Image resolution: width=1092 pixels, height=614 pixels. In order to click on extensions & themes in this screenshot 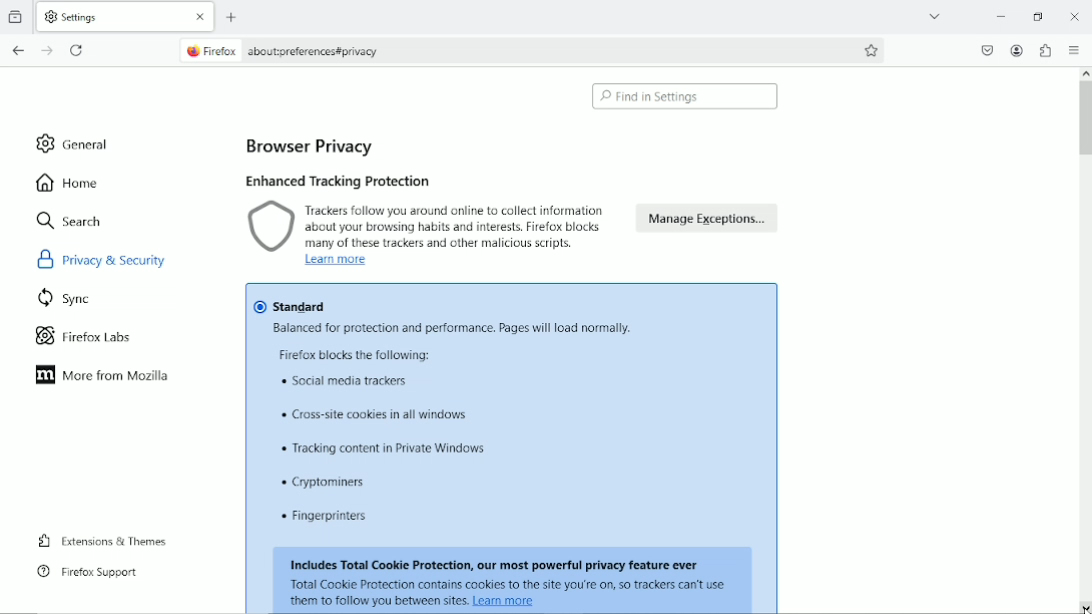, I will do `click(100, 541)`.